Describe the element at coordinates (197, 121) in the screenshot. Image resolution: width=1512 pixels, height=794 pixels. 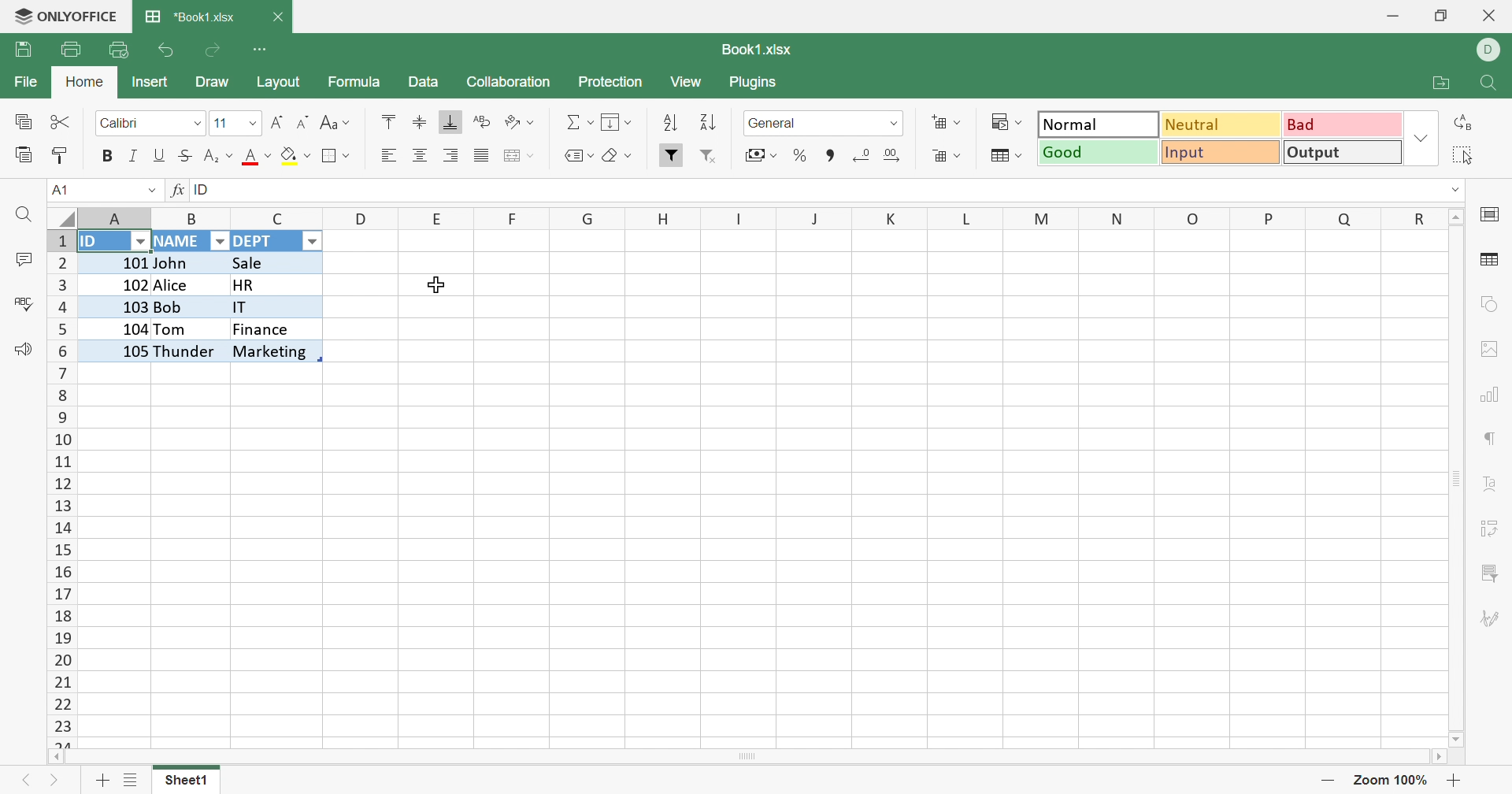
I see `Drop Down` at that location.